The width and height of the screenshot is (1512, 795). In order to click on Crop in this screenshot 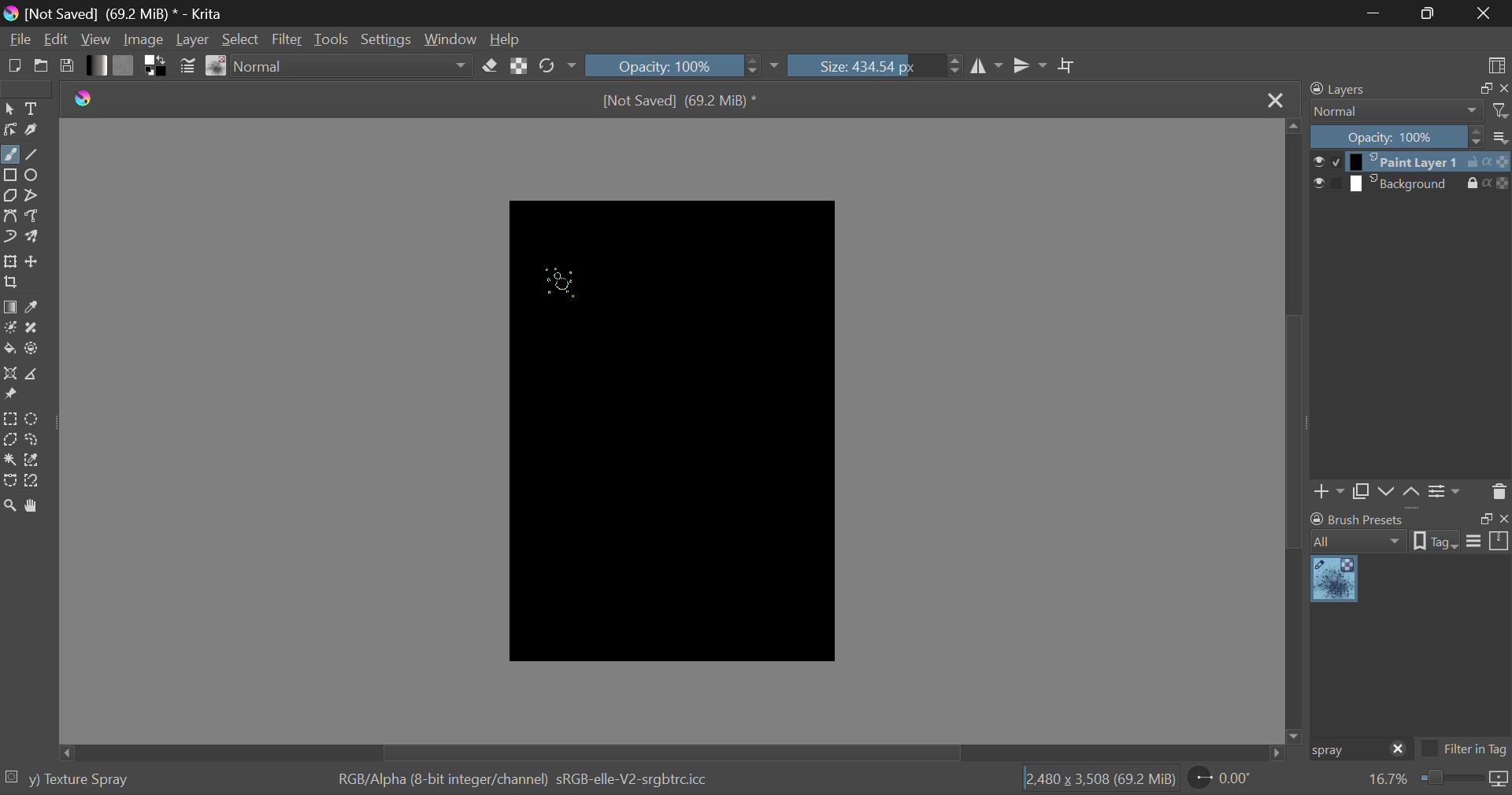, I will do `click(1069, 66)`.